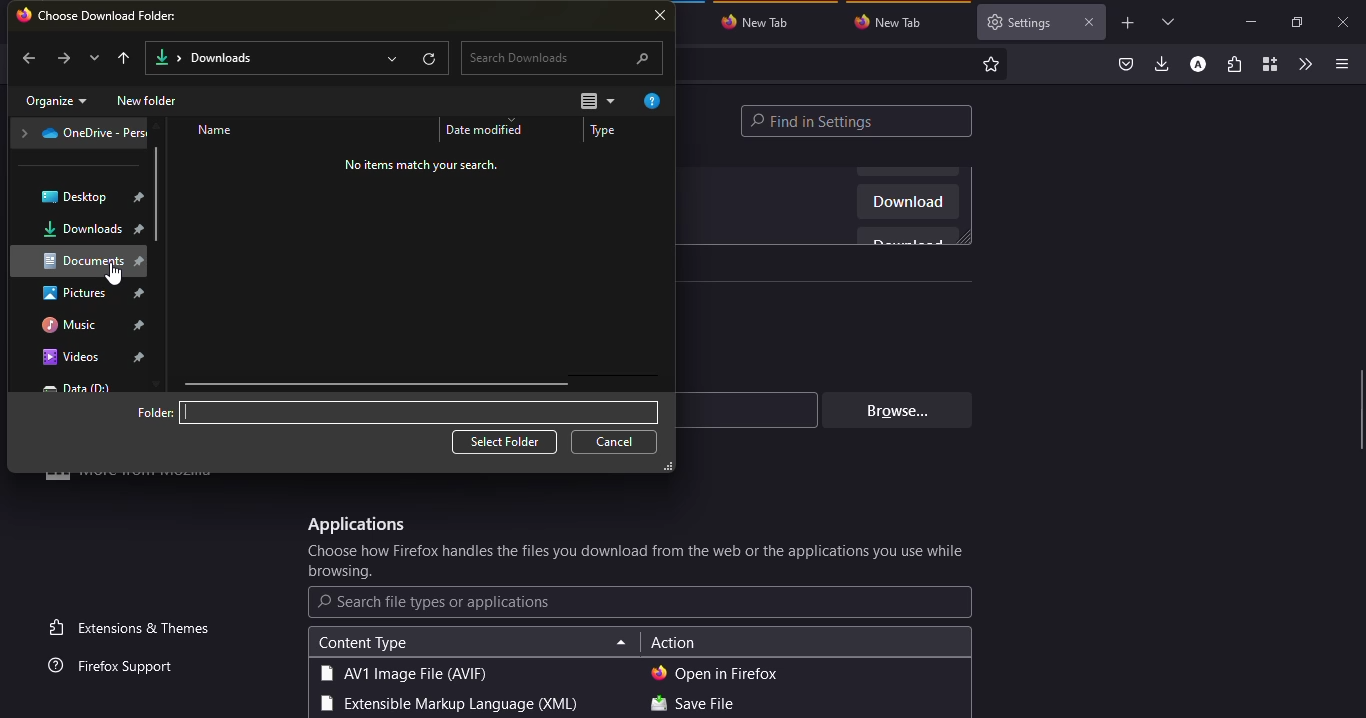  What do you see at coordinates (1163, 63) in the screenshot?
I see `downloads` at bounding box center [1163, 63].